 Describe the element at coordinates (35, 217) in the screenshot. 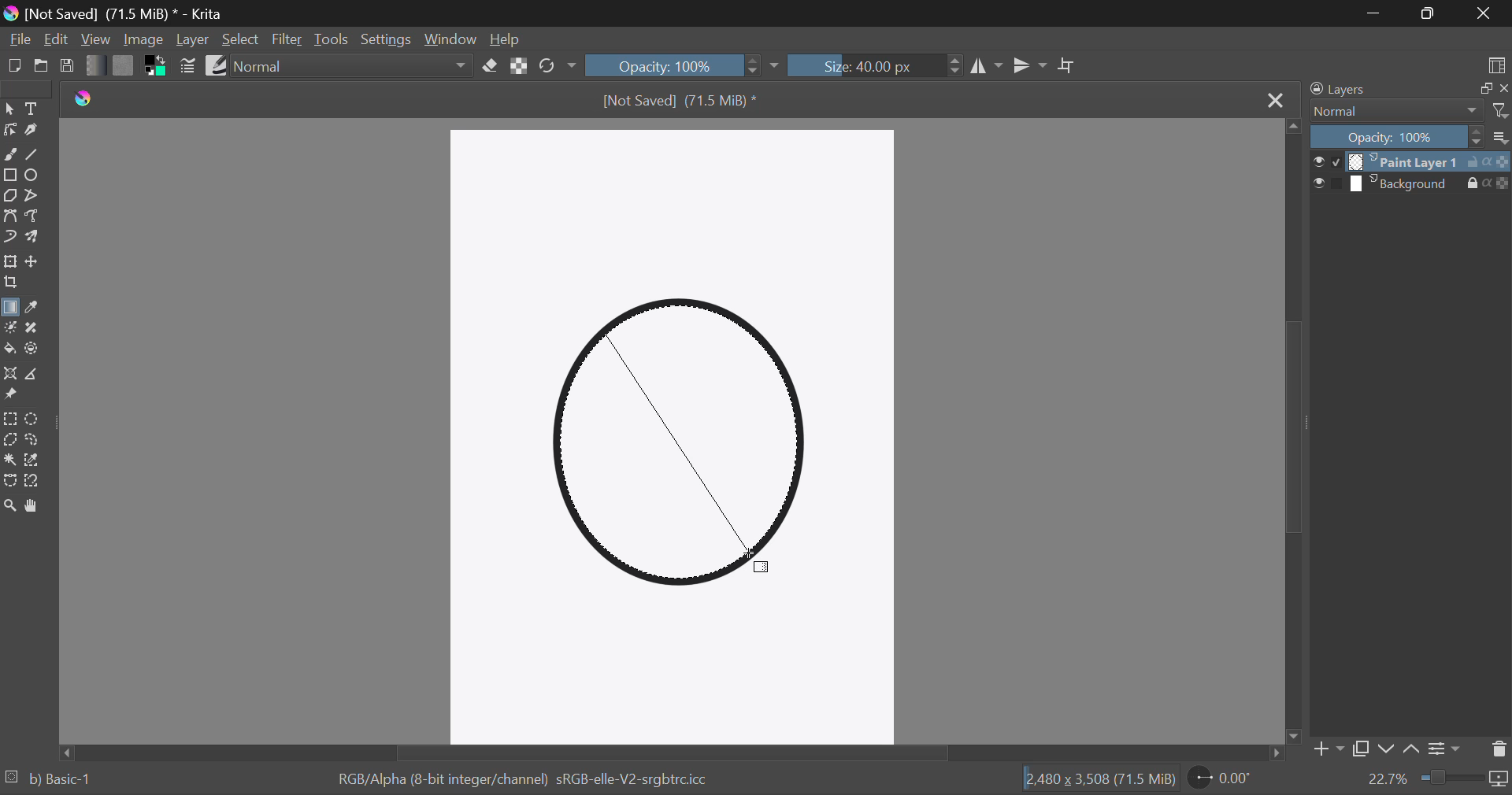

I see `Freehand Path Tool` at that location.